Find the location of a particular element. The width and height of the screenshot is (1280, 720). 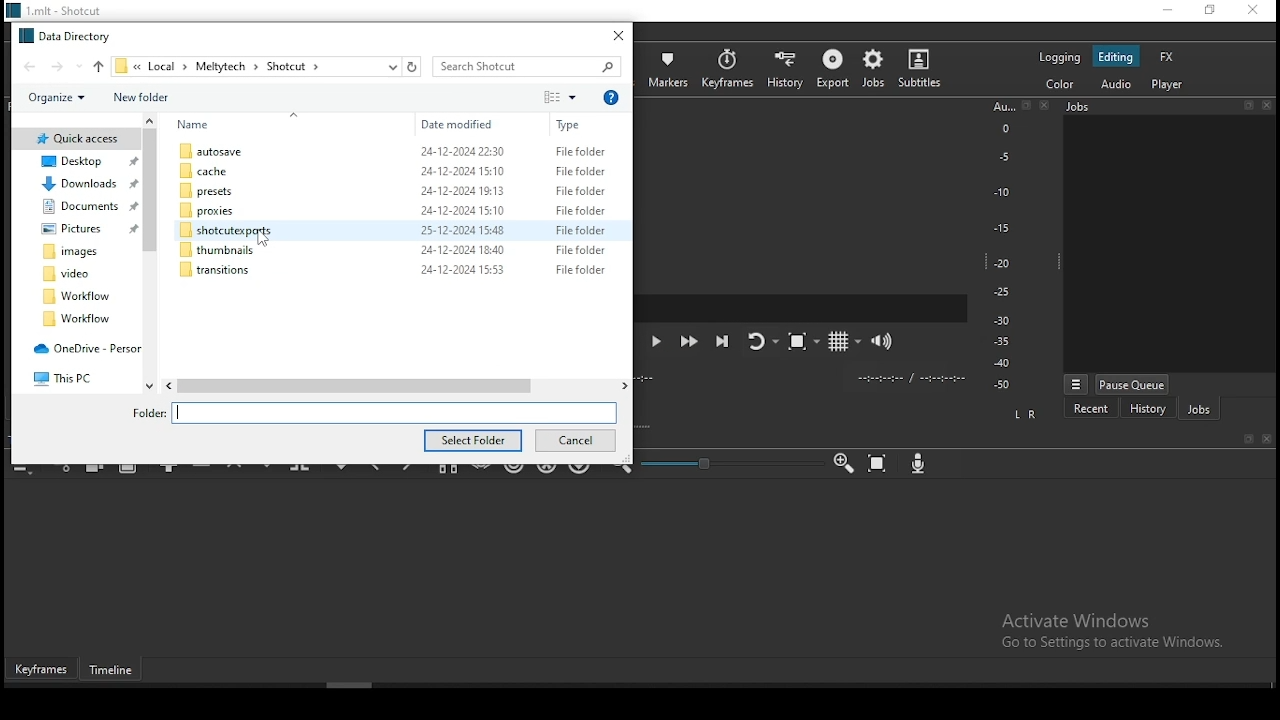

close is located at coordinates (1268, 440).